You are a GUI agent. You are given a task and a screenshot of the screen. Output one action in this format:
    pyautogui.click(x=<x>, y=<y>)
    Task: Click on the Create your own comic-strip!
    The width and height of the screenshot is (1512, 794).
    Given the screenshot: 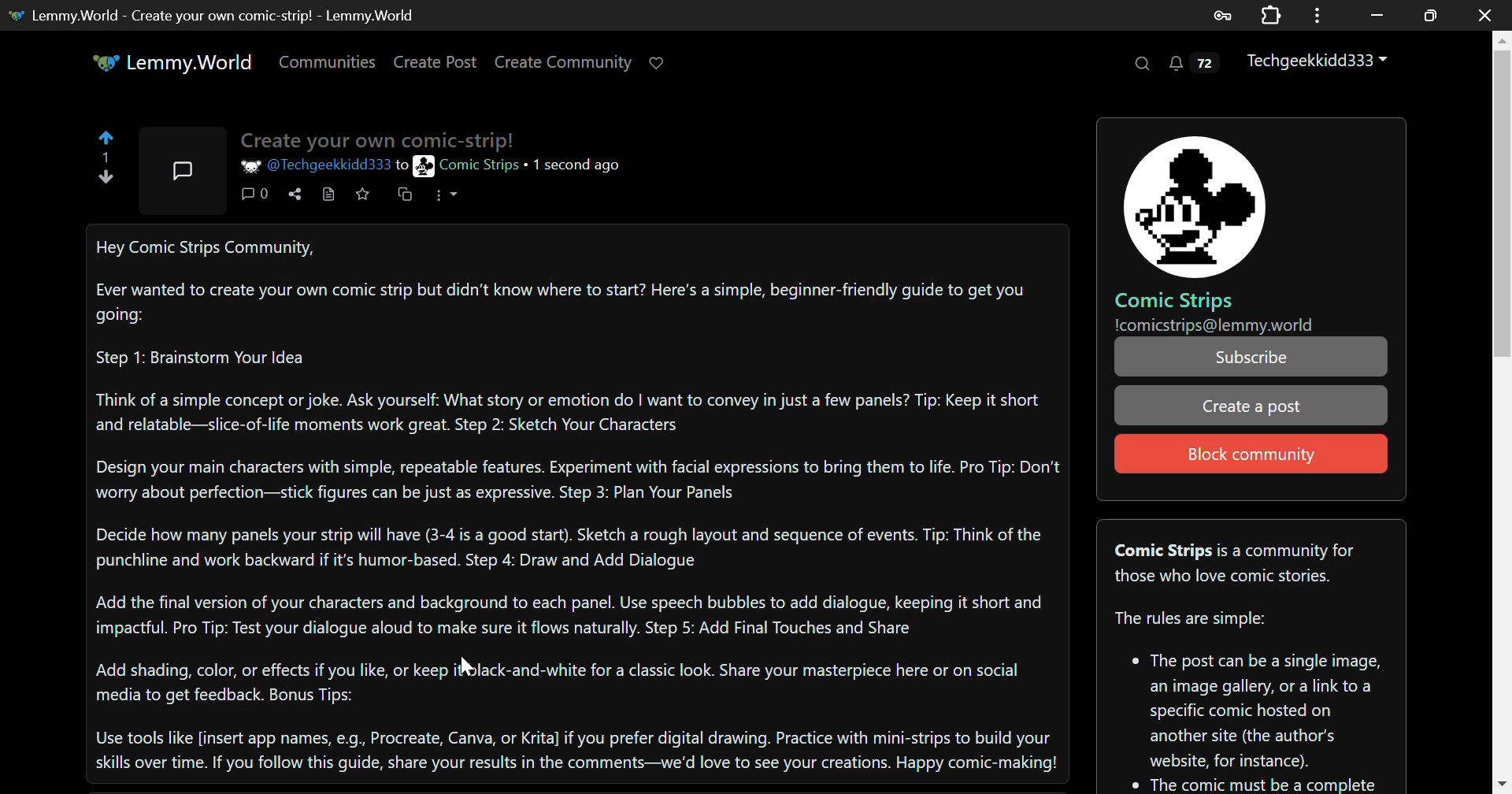 What is the action you would take?
    pyautogui.click(x=384, y=139)
    